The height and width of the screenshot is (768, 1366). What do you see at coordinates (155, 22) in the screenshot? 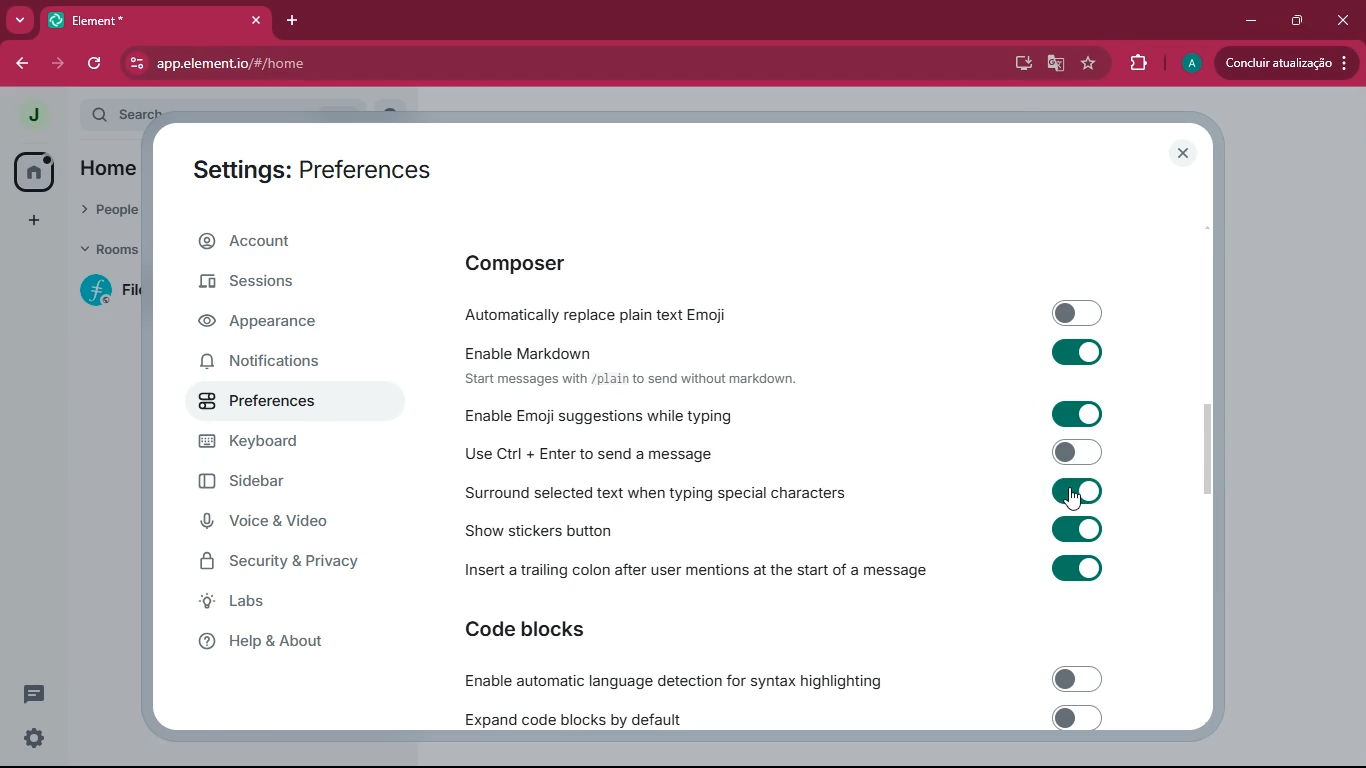
I see `element` at bounding box center [155, 22].